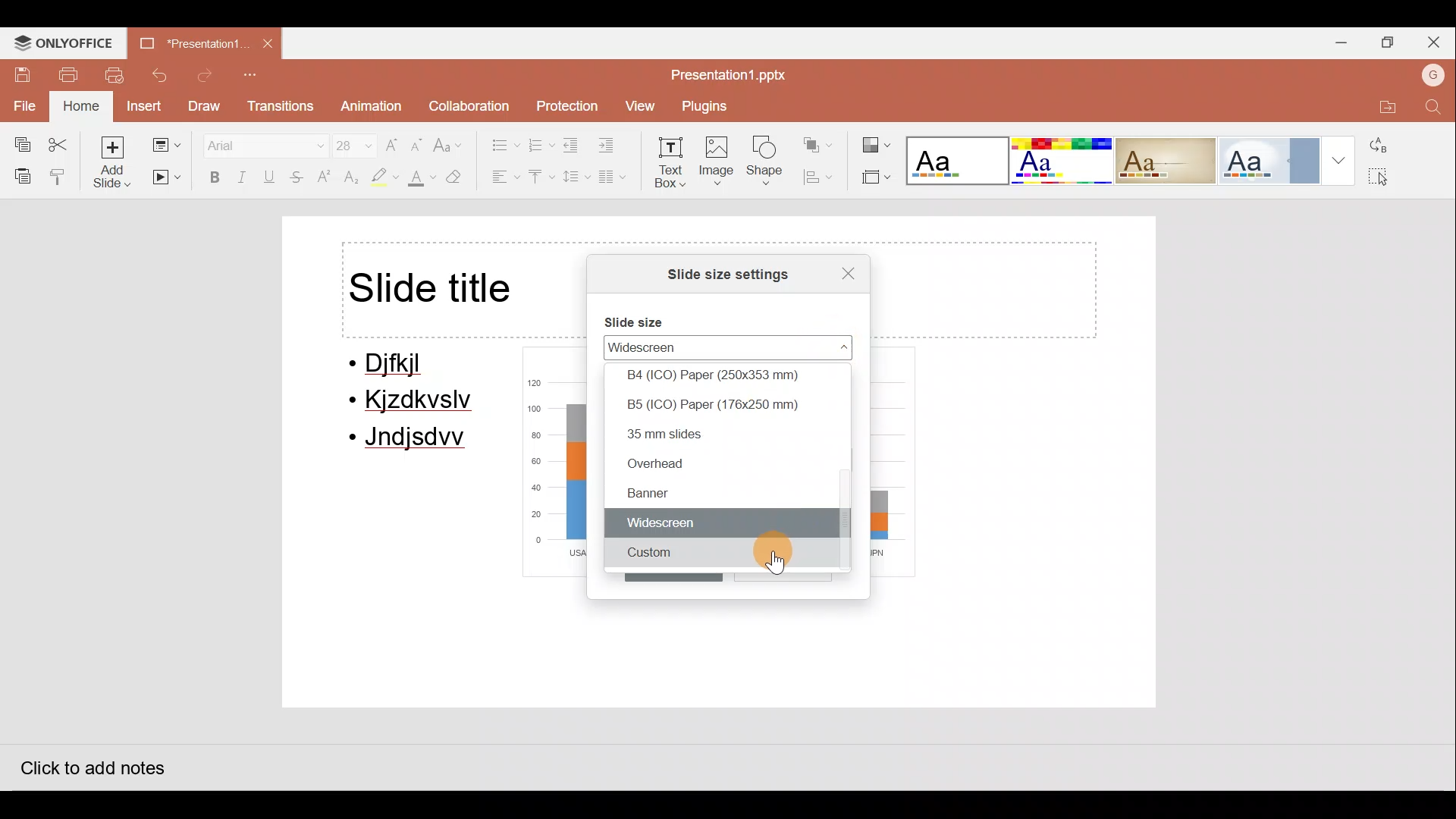 The height and width of the screenshot is (819, 1456). Describe the element at coordinates (540, 178) in the screenshot. I see `Vertical align` at that location.